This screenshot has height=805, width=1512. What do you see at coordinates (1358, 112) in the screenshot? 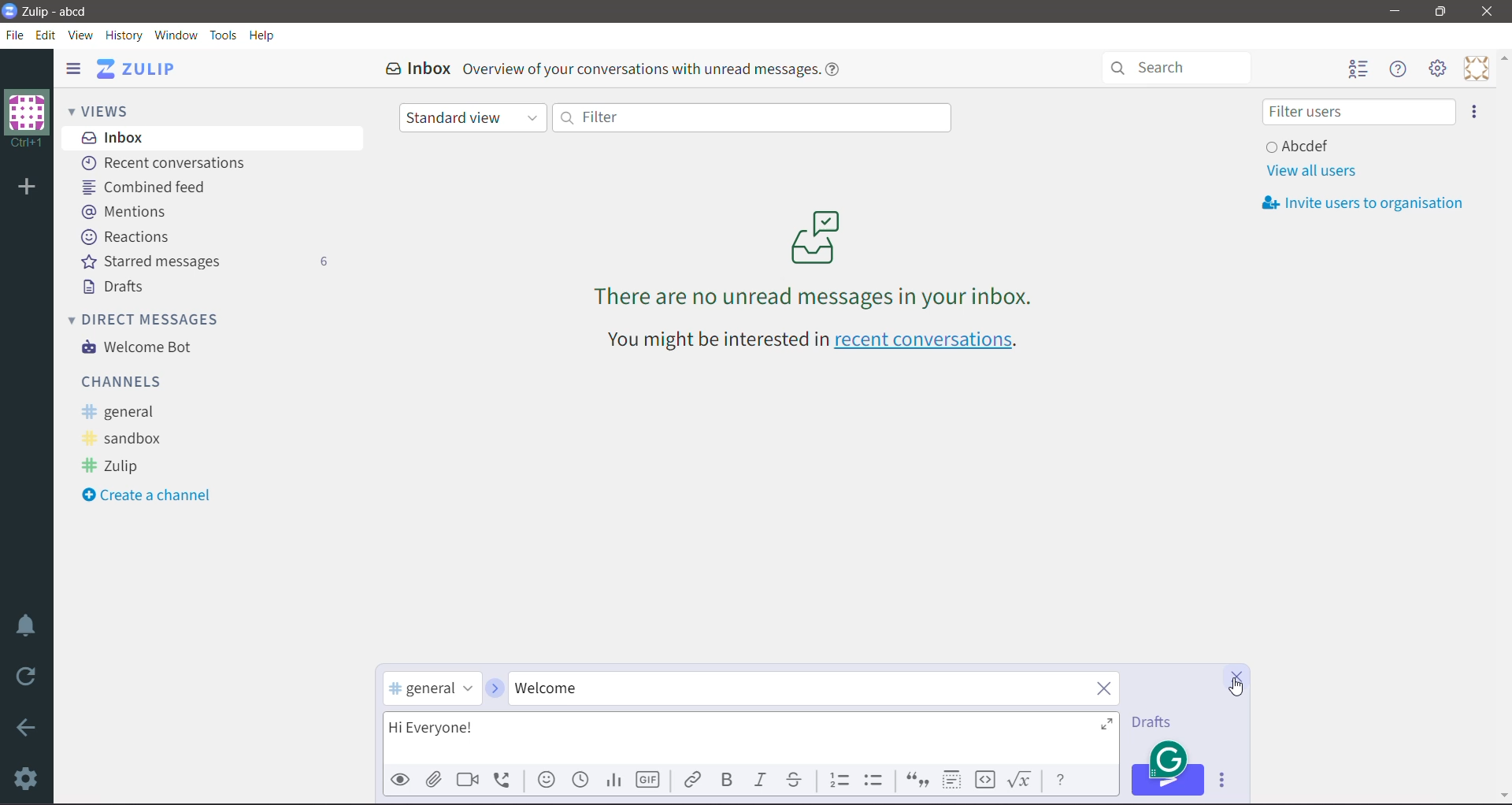
I see `Filter users` at bounding box center [1358, 112].